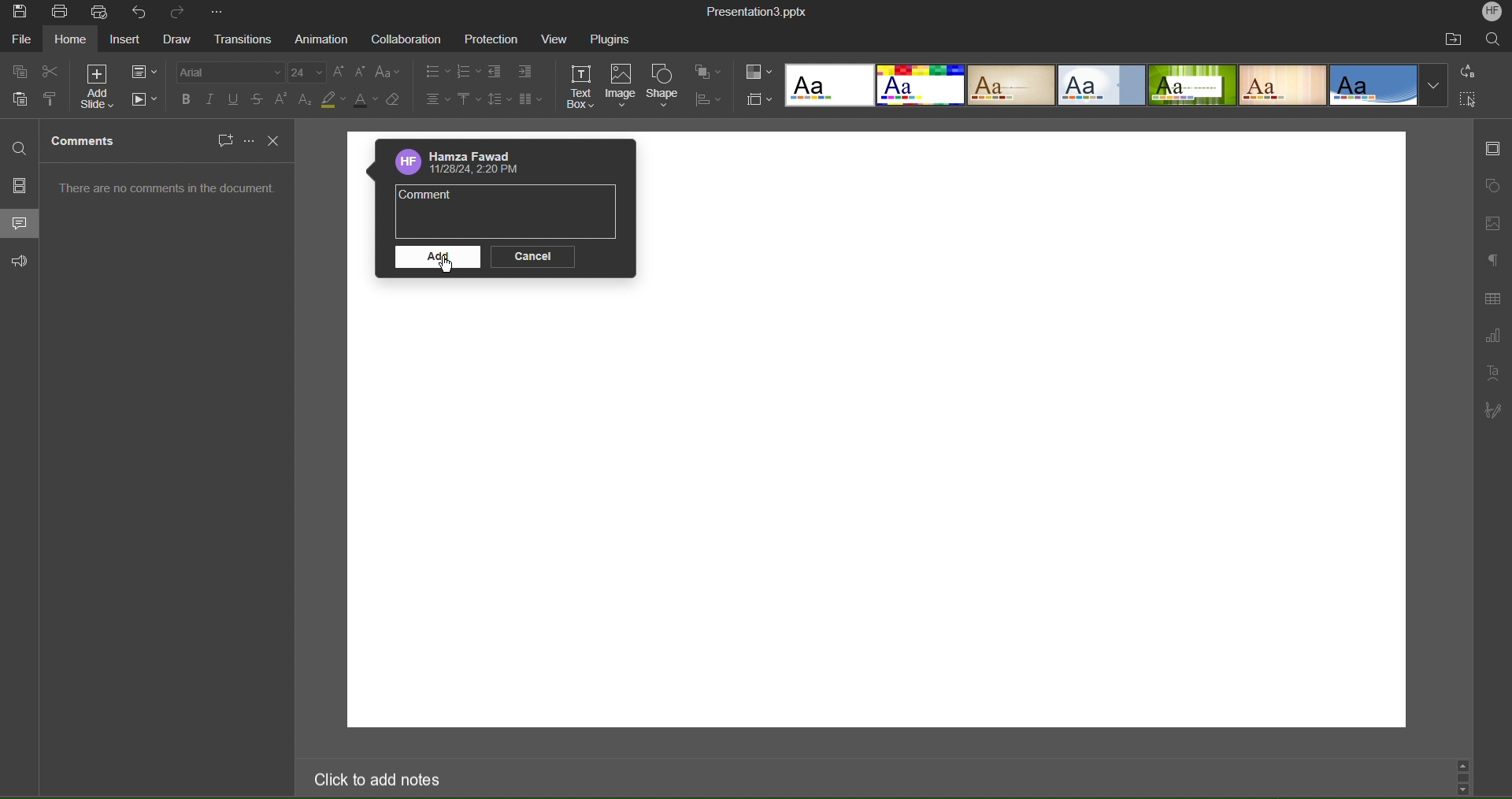 The height and width of the screenshot is (799, 1512). Describe the element at coordinates (387, 75) in the screenshot. I see `Text Case Settings` at that location.